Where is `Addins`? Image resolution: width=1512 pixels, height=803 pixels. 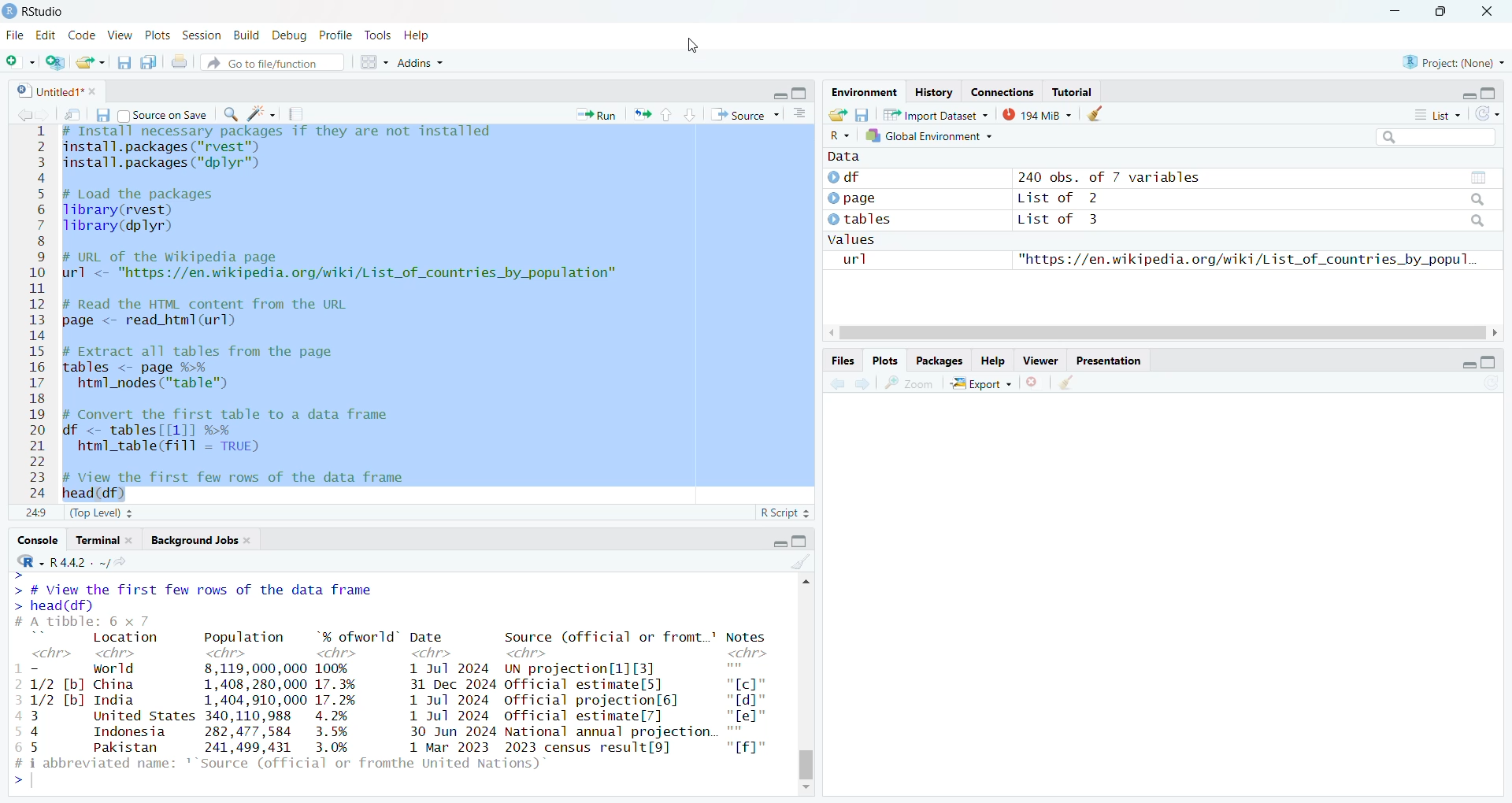
Addins is located at coordinates (421, 61).